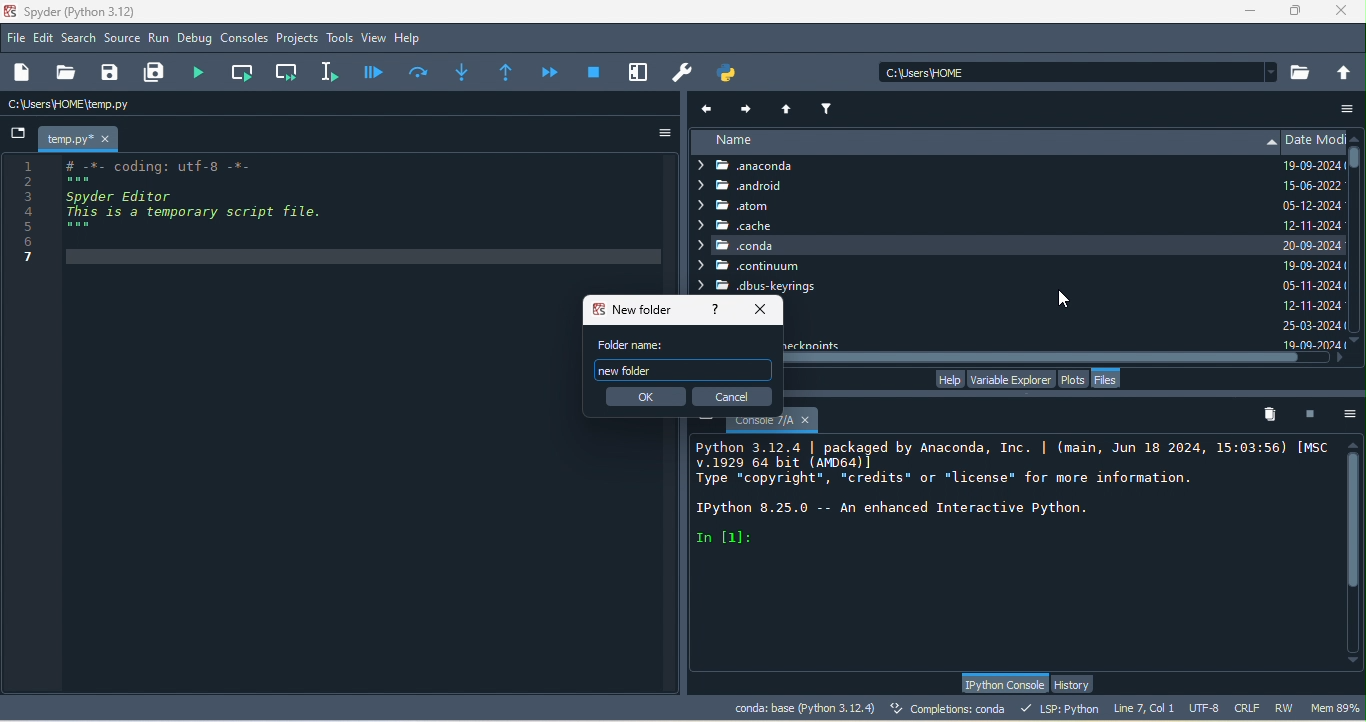 The height and width of the screenshot is (722, 1366). I want to click on preferences, so click(684, 73).